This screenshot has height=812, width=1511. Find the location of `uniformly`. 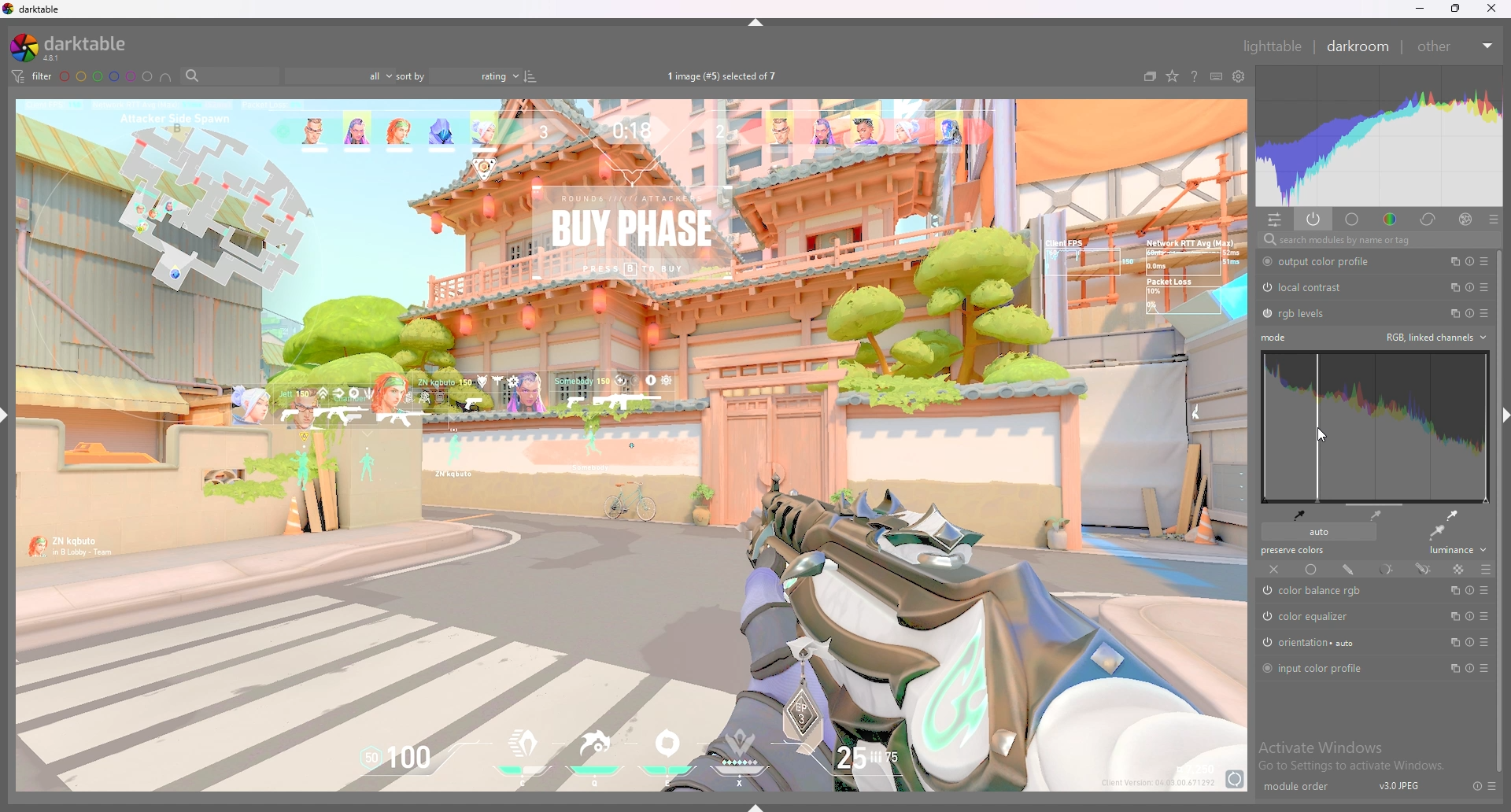

uniformly is located at coordinates (1311, 570).